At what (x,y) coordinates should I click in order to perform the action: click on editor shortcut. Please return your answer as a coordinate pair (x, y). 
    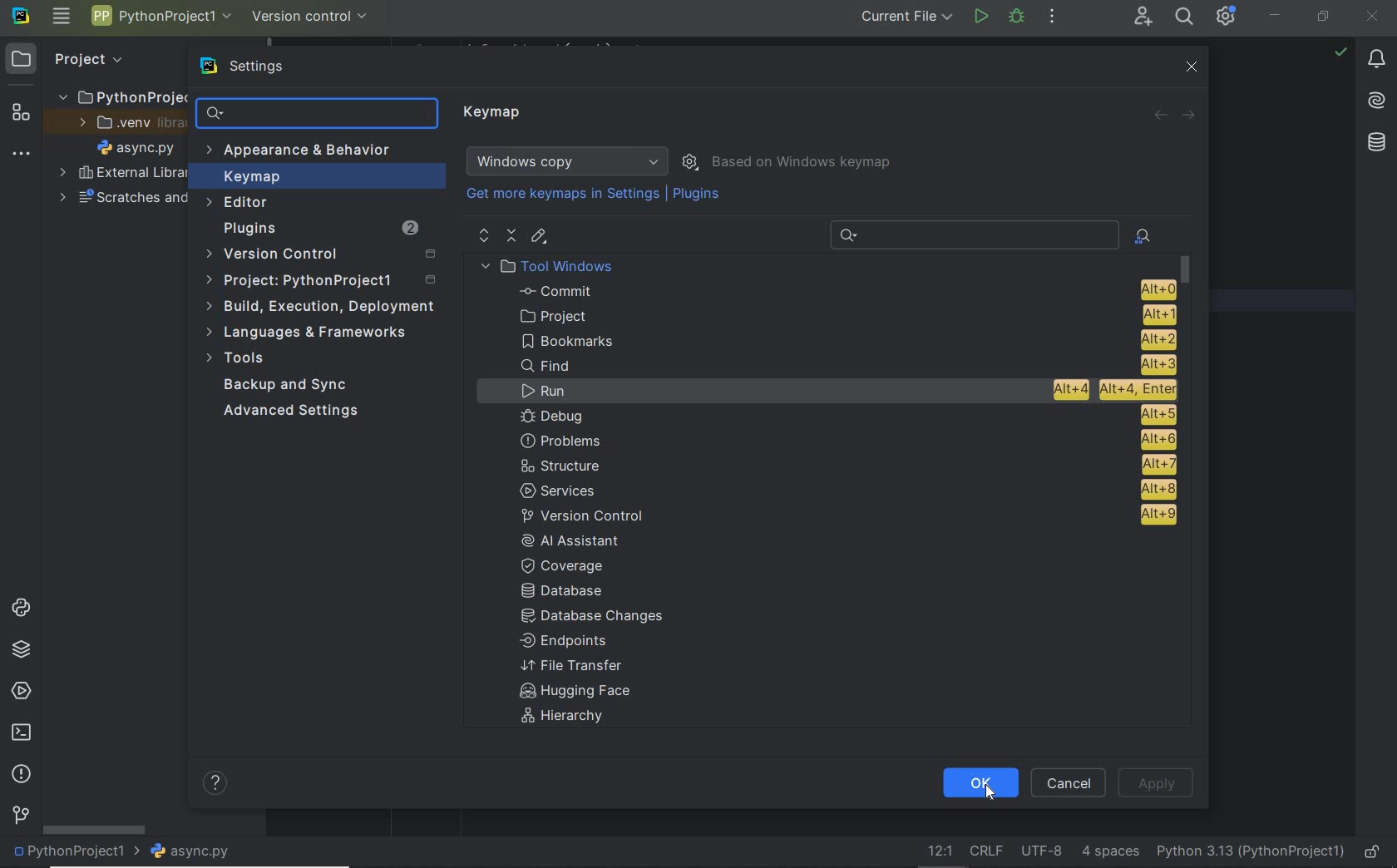
    Looking at the image, I should click on (540, 238).